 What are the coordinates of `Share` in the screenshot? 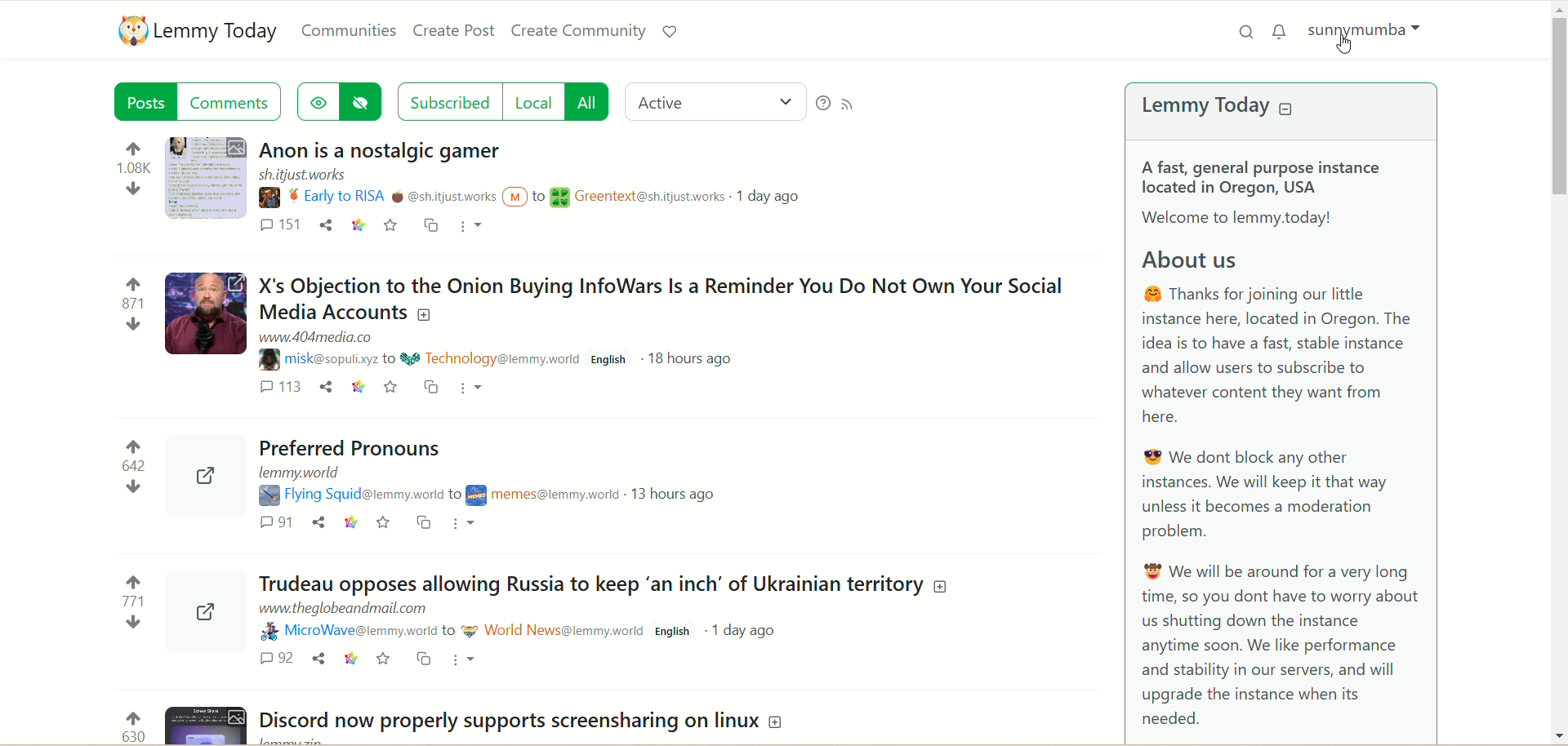 It's located at (327, 386).